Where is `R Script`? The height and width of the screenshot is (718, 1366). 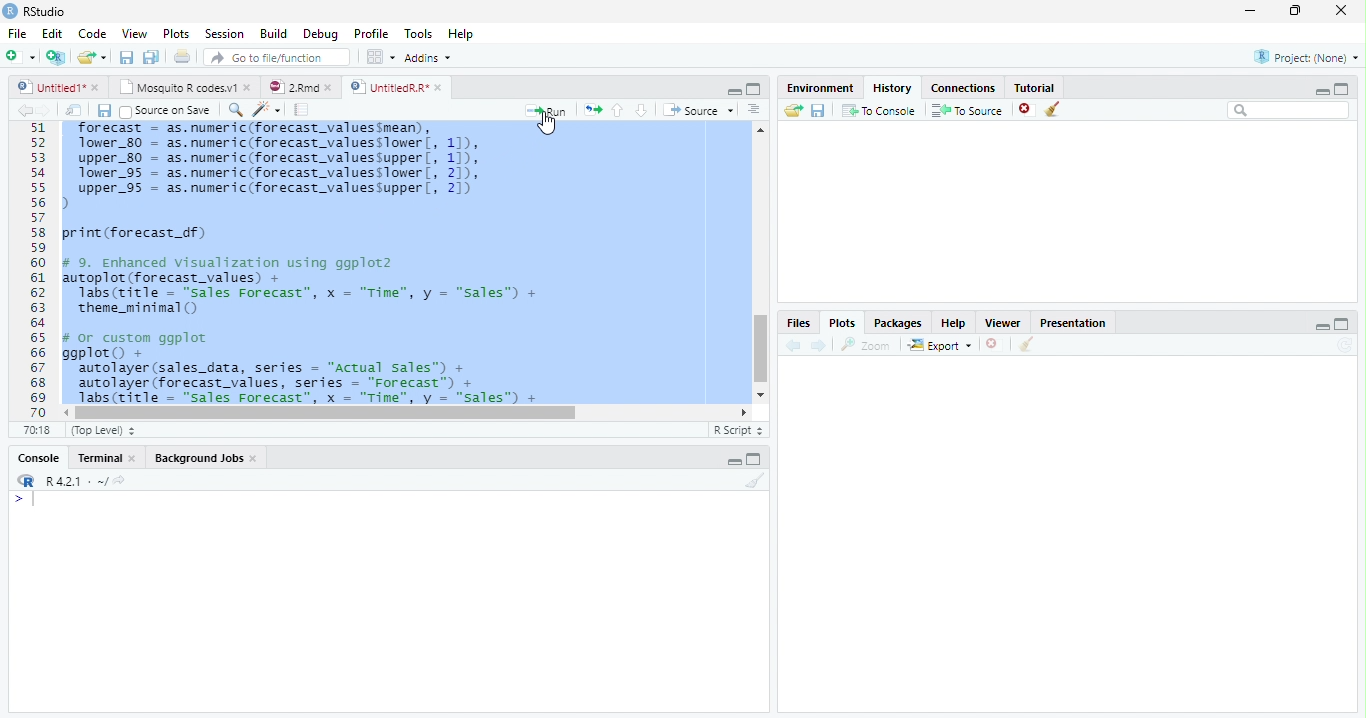
R Script is located at coordinates (737, 431).